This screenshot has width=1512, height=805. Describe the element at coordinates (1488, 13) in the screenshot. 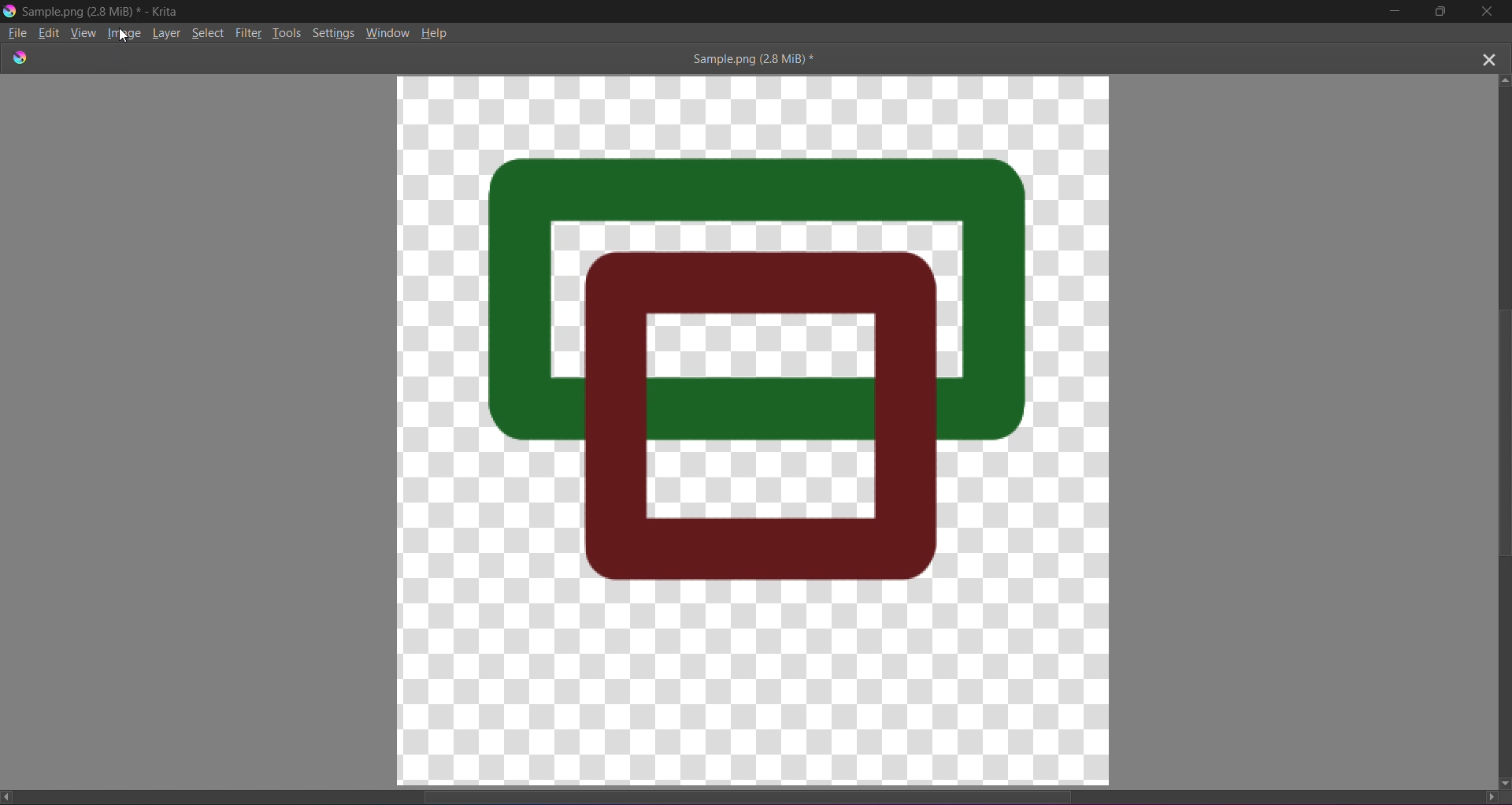

I see `Close` at that location.